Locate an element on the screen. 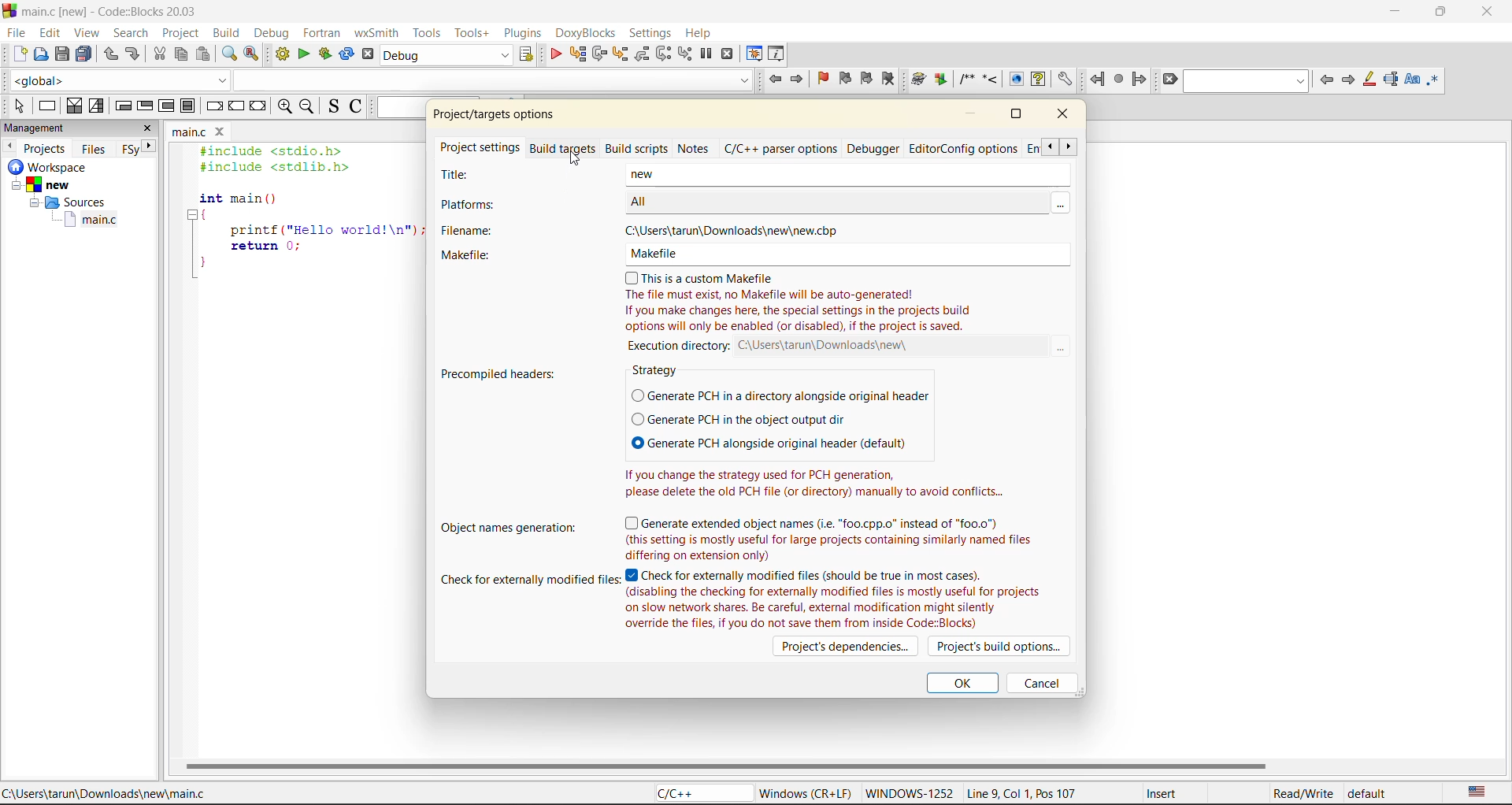 This screenshot has width=1512, height=805. scroll front is located at coordinates (1069, 149).